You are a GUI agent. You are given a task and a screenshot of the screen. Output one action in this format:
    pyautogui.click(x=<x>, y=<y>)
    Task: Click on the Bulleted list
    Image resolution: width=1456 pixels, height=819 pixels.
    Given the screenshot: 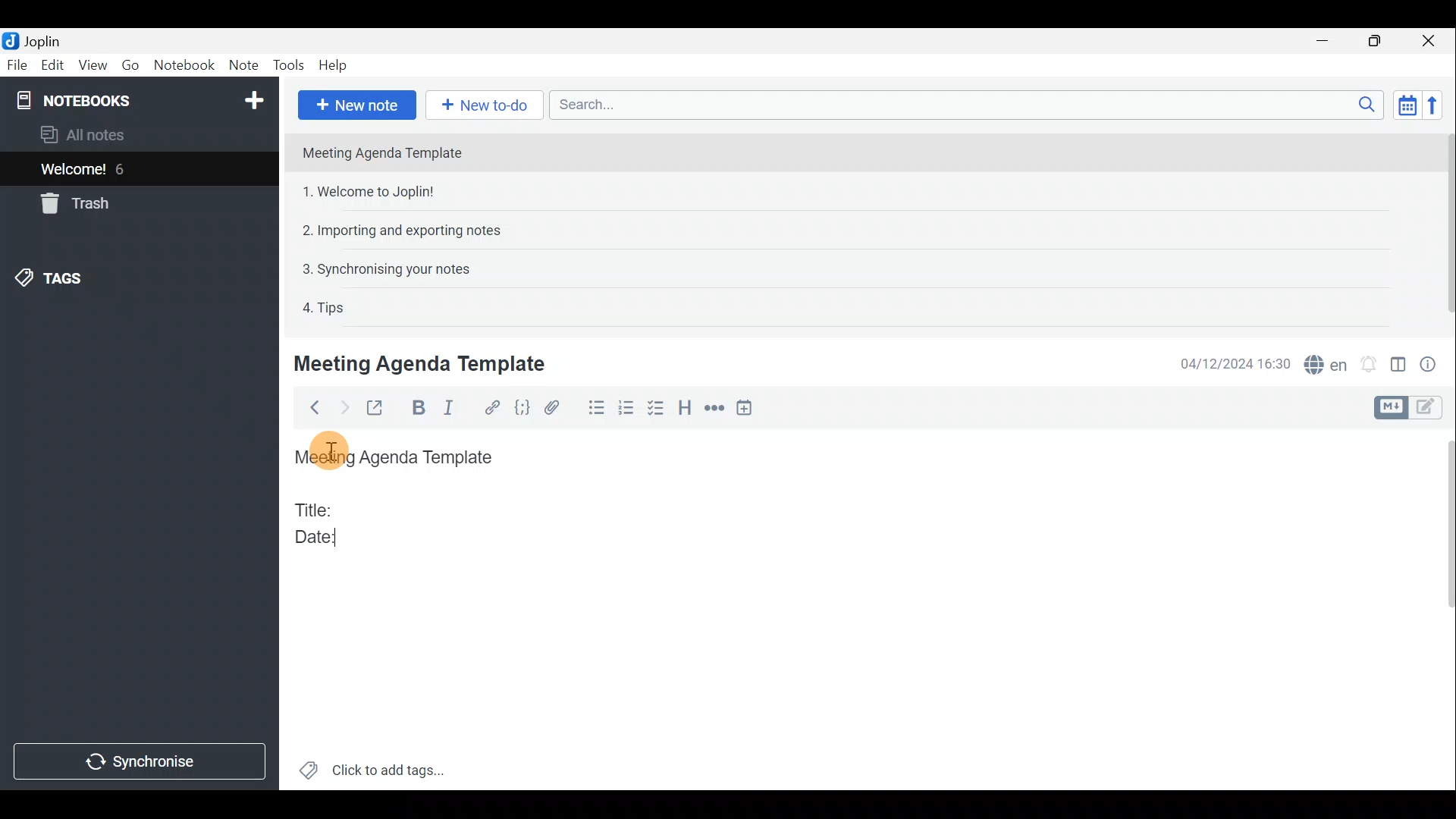 What is the action you would take?
    pyautogui.click(x=595, y=408)
    